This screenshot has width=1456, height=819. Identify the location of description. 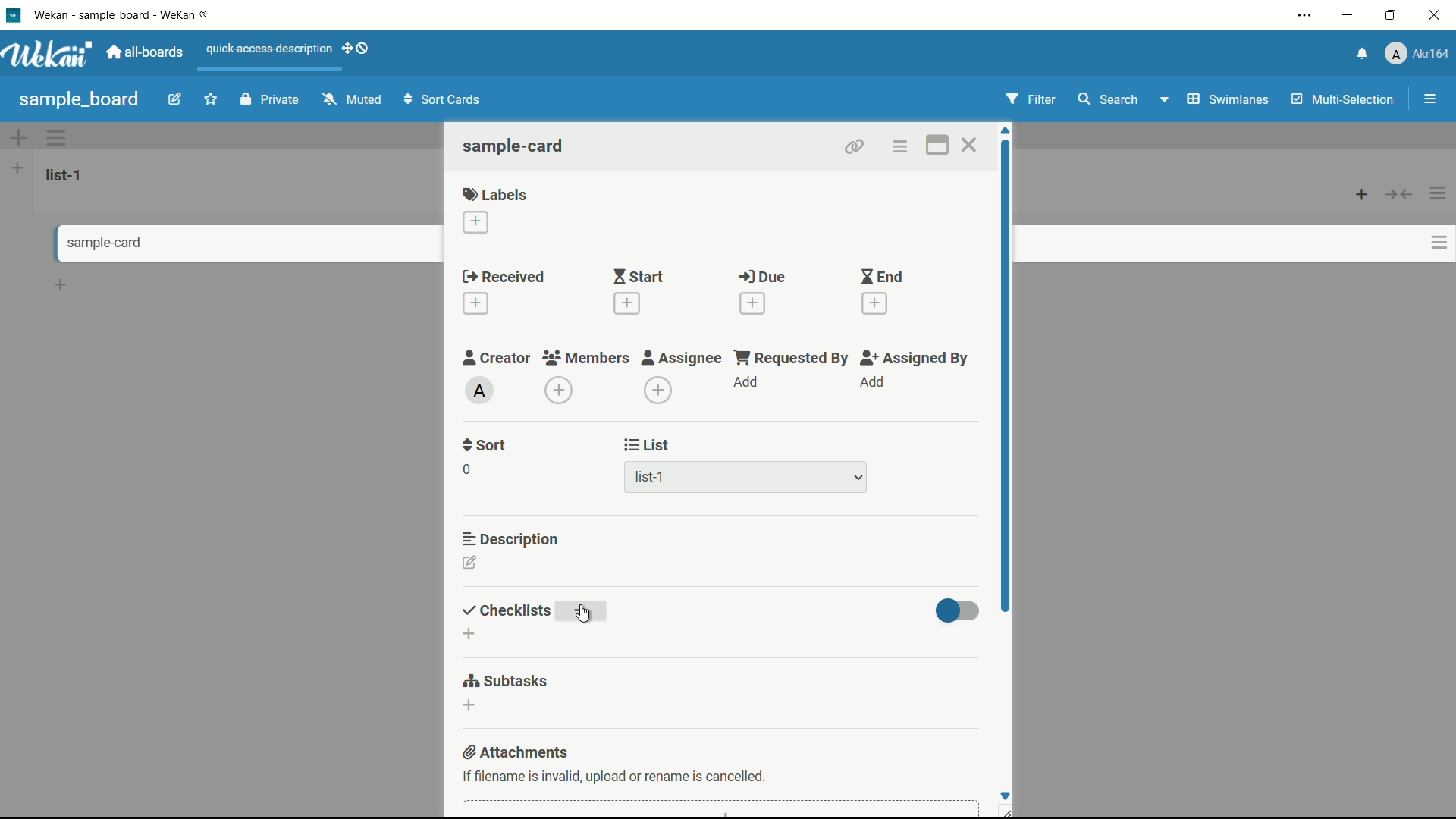
(512, 538).